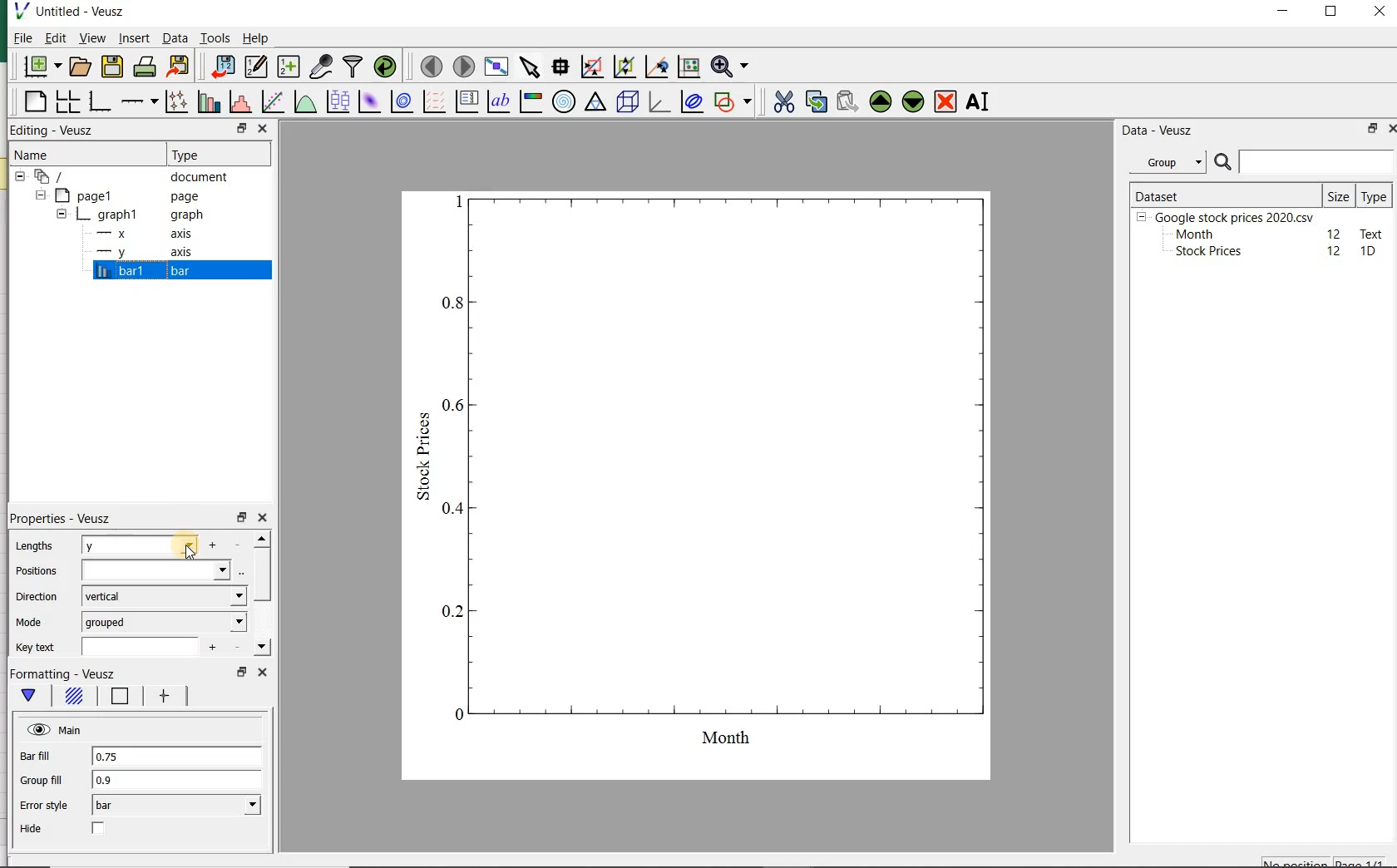 The height and width of the screenshot is (868, 1397). What do you see at coordinates (215, 38) in the screenshot?
I see `Tools` at bounding box center [215, 38].